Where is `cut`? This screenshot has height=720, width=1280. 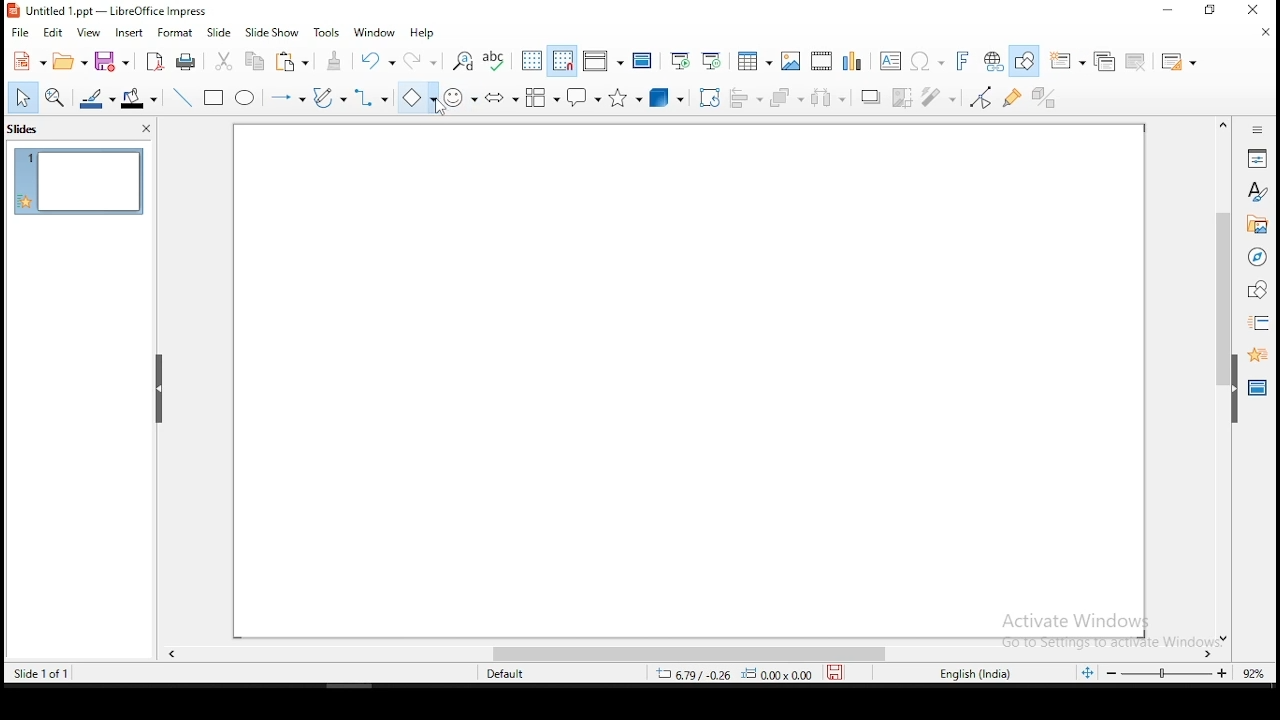 cut is located at coordinates (225, 62).